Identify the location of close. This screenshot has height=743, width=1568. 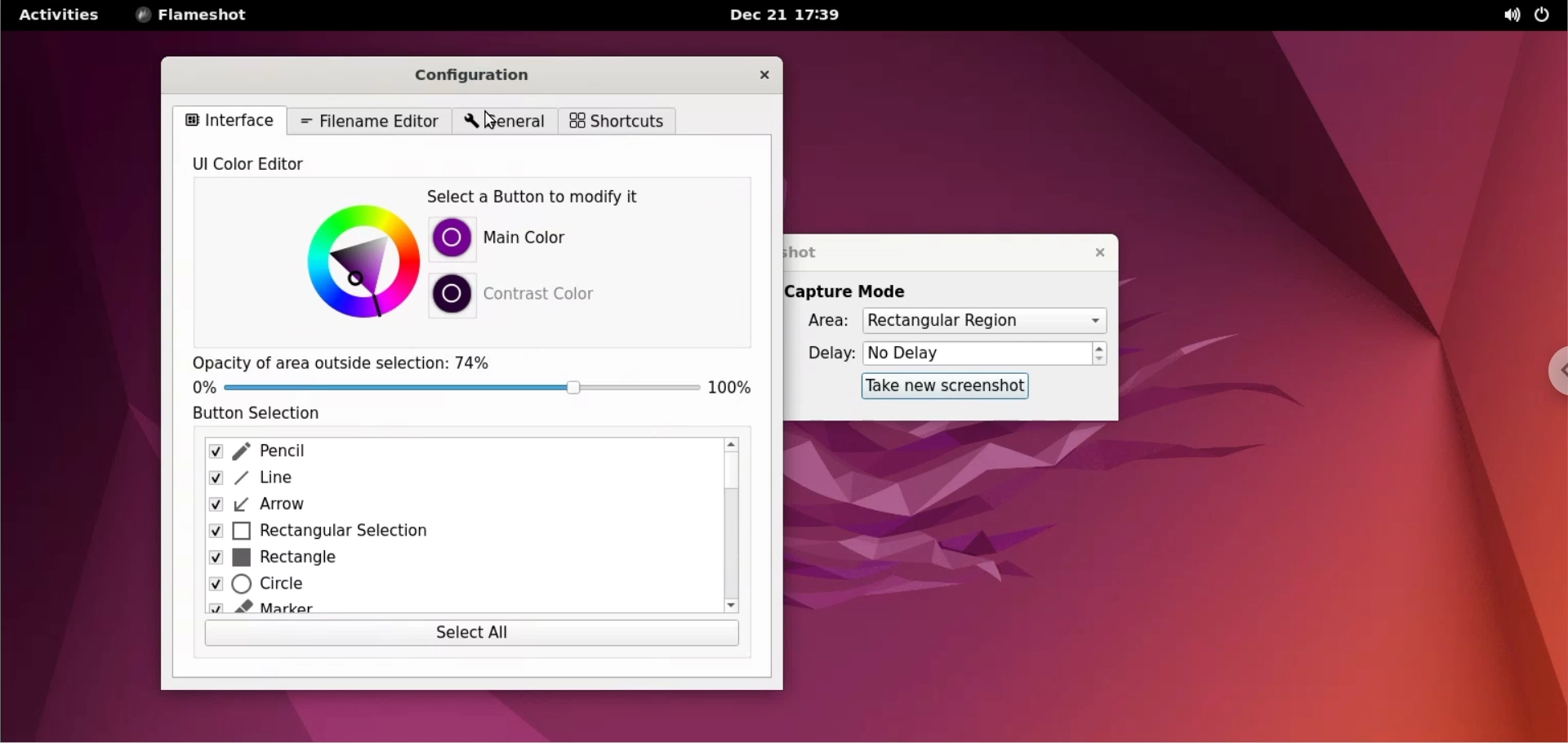
(1091, 251).